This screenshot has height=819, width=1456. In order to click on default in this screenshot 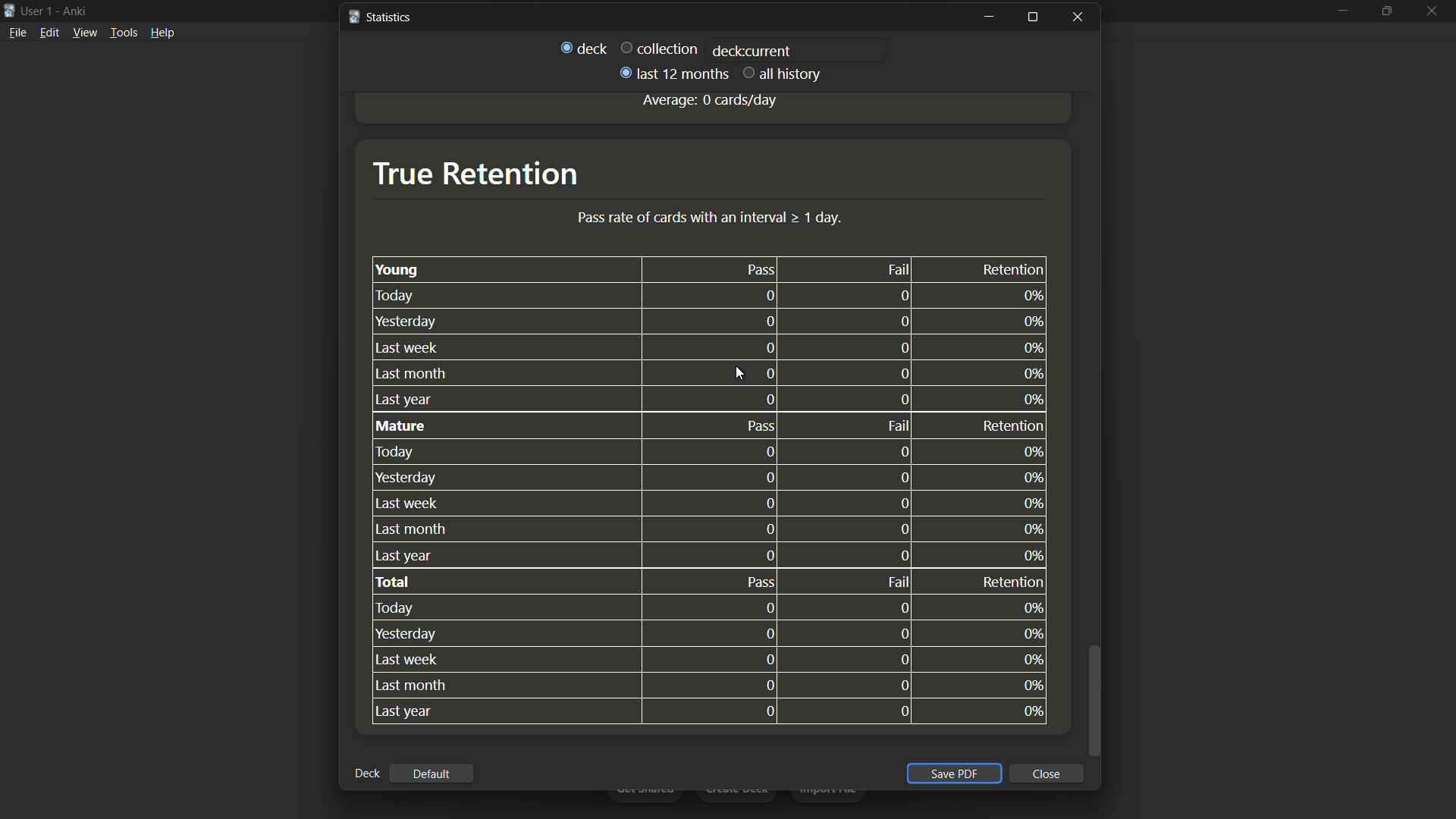, I will do `click(435, 775)`.